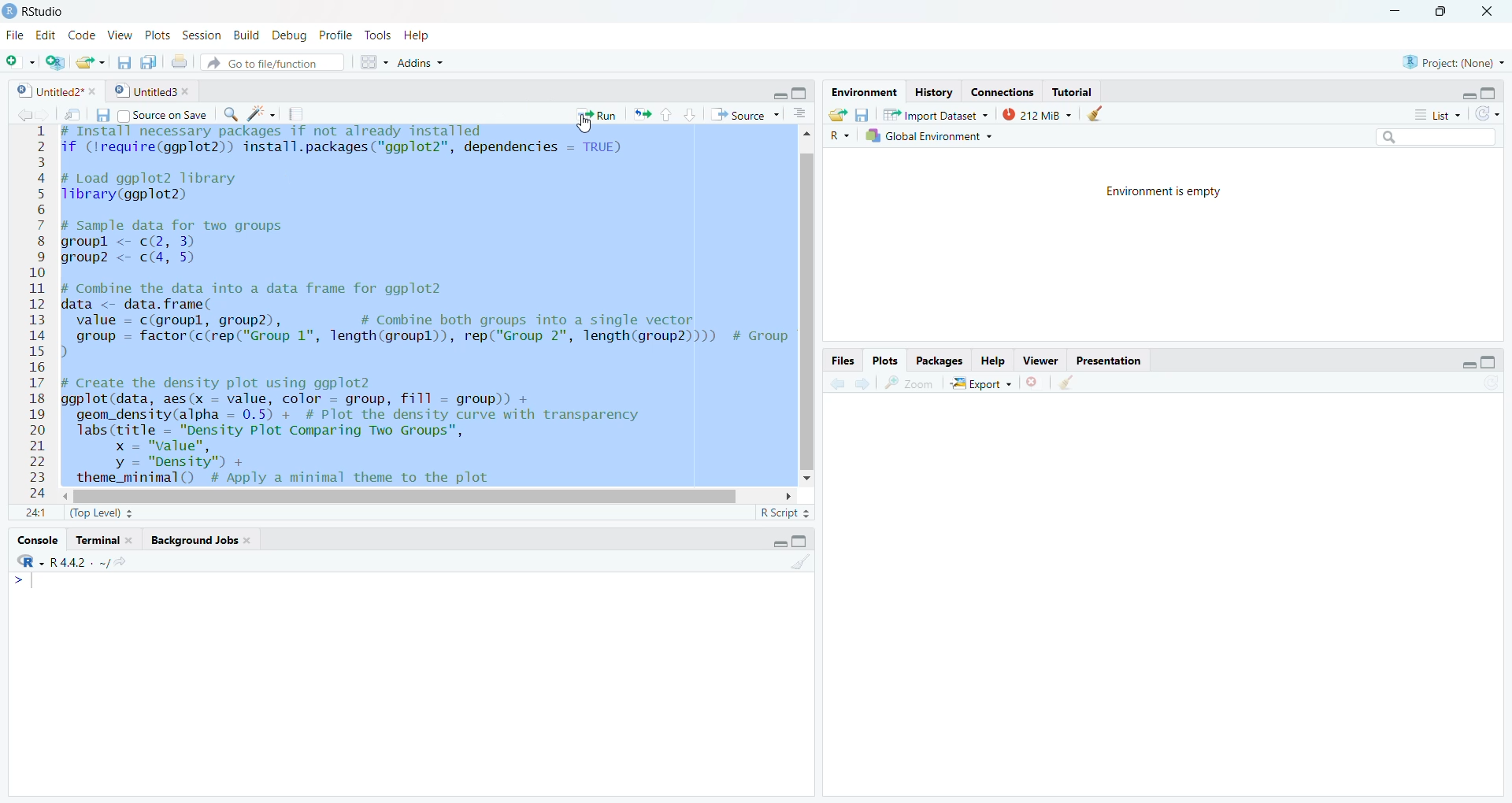 The width and height of the screenshot is (1512, 803). I want to click on brightness, so click(263, 112).